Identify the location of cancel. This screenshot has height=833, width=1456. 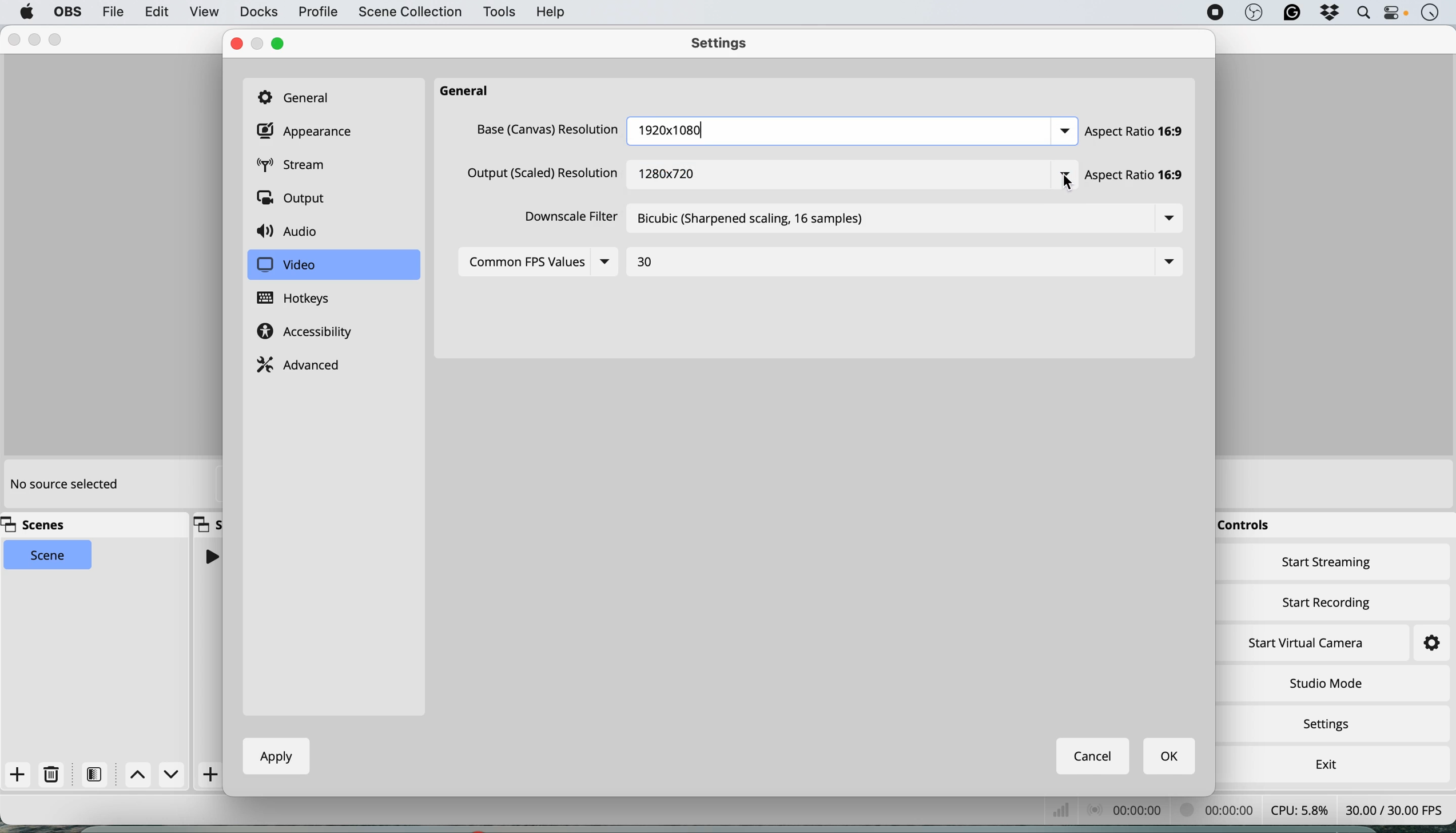
(1094, 756).